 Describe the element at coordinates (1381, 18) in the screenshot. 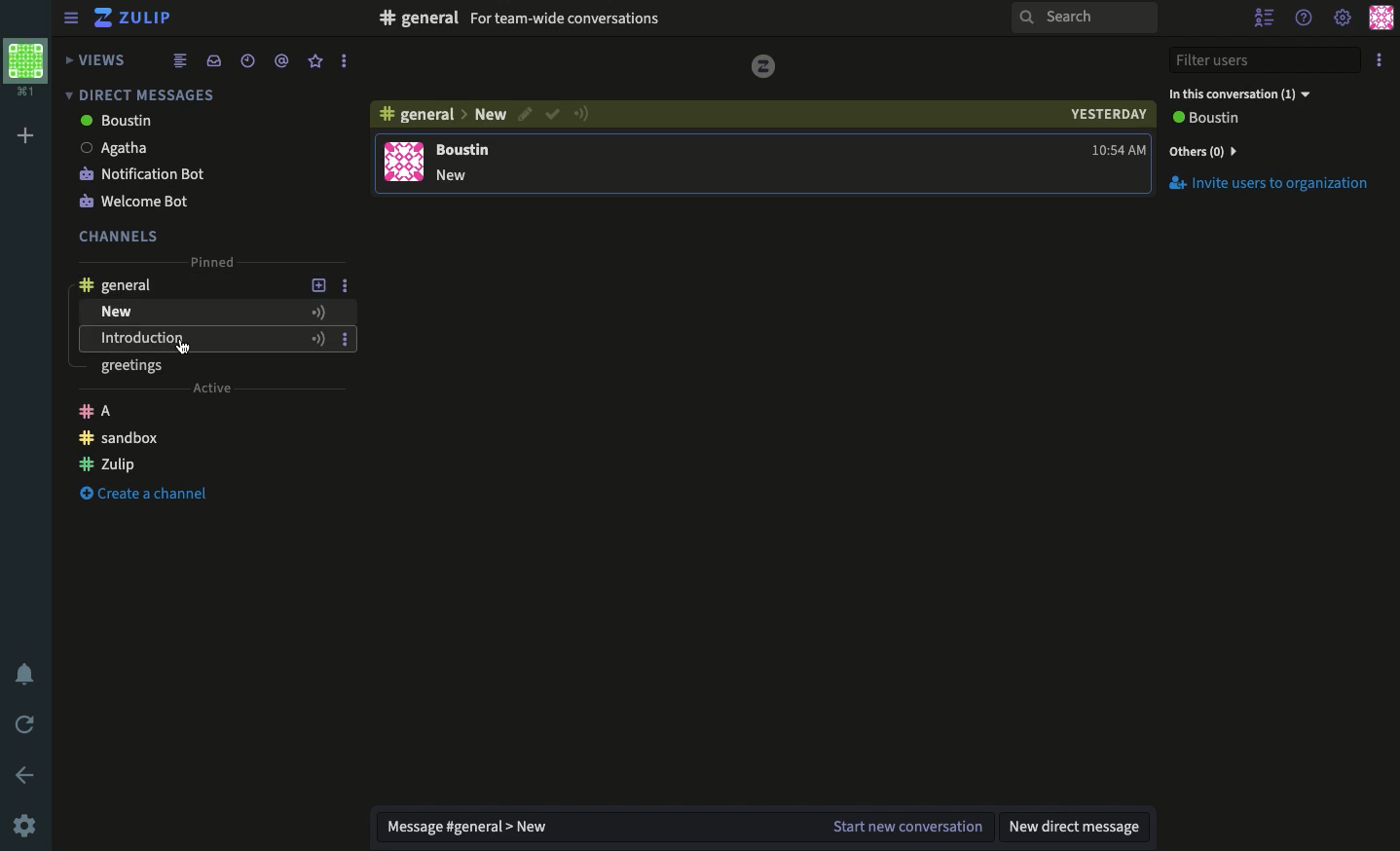

I see `Profile` at that location.